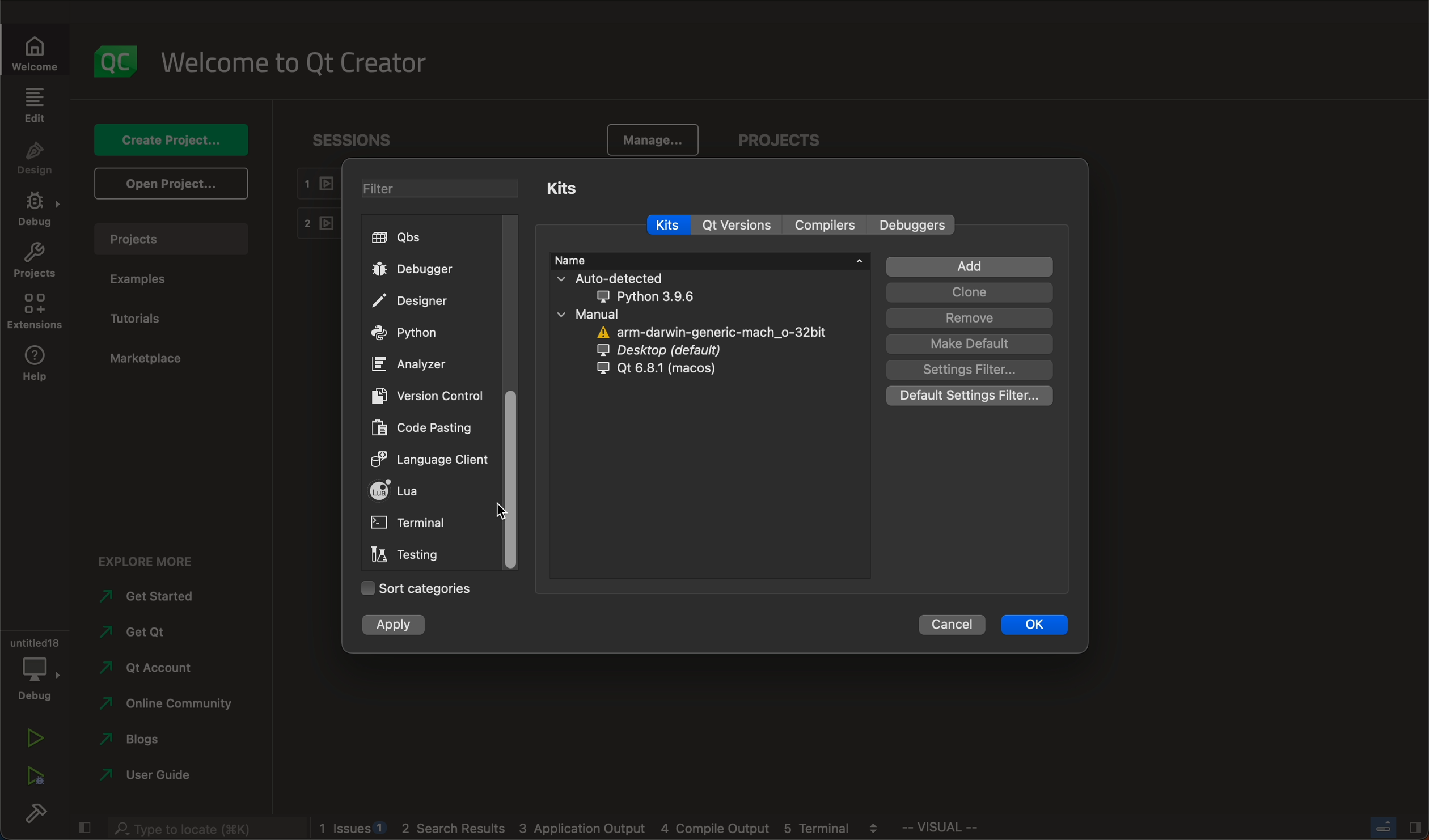 The height and width of the screenshot is (840, 1429). What do you see at coordinates (778, 136) in the screenshot?
I see `projects` at bounding box center [778, 136].